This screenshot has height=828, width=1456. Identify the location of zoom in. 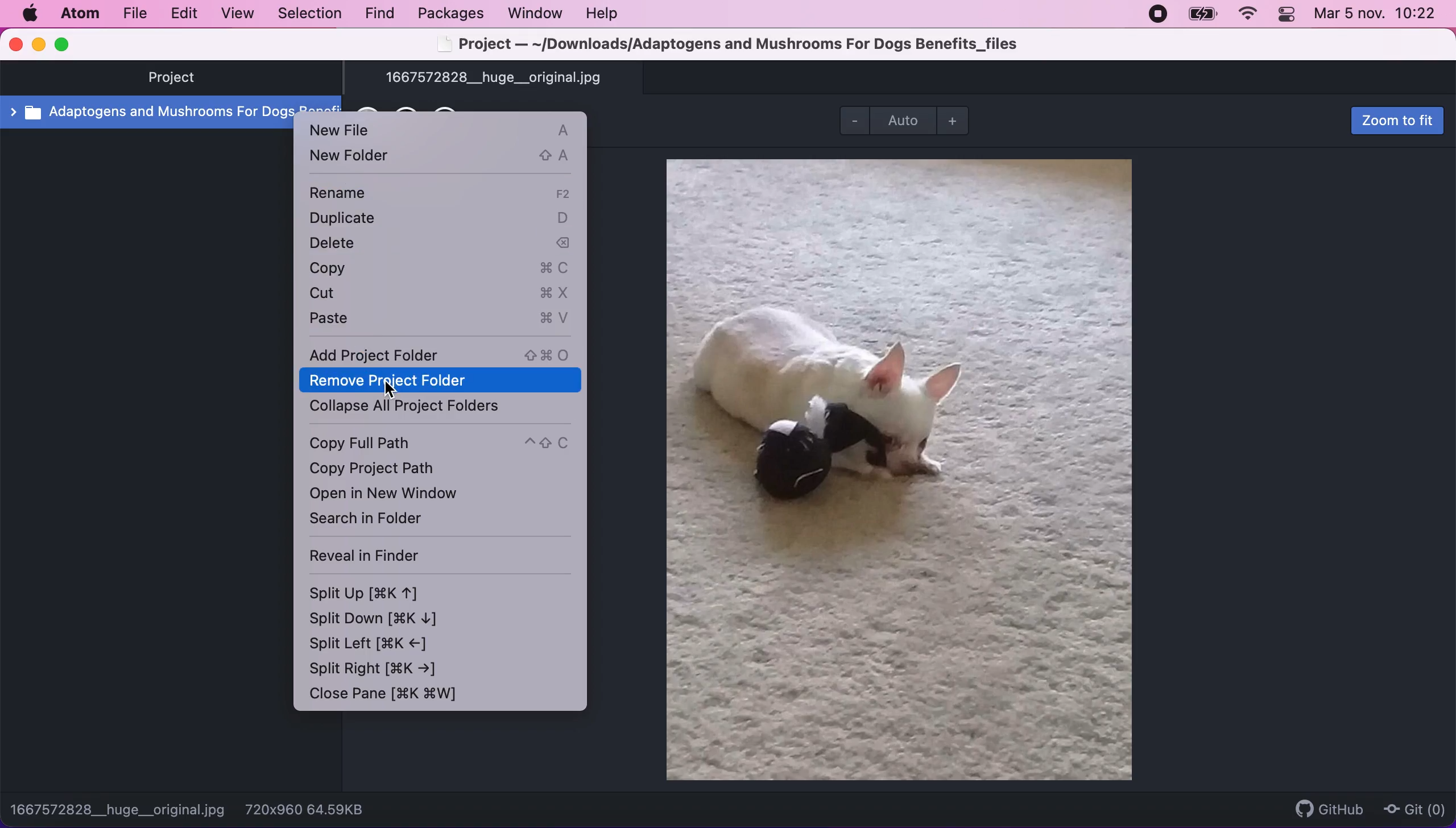
(958, 121).